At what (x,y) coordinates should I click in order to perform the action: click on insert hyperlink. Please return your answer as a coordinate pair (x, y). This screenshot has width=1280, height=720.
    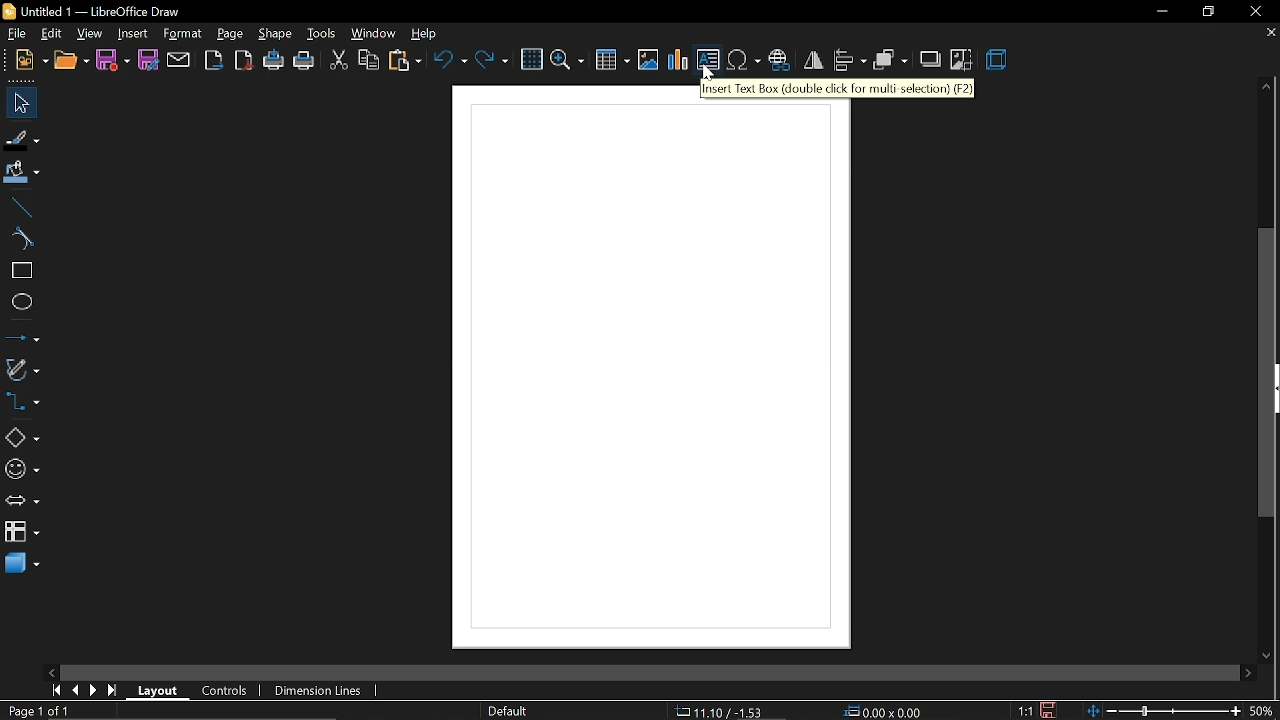
    Looking at the image, I should click on (779, 62).